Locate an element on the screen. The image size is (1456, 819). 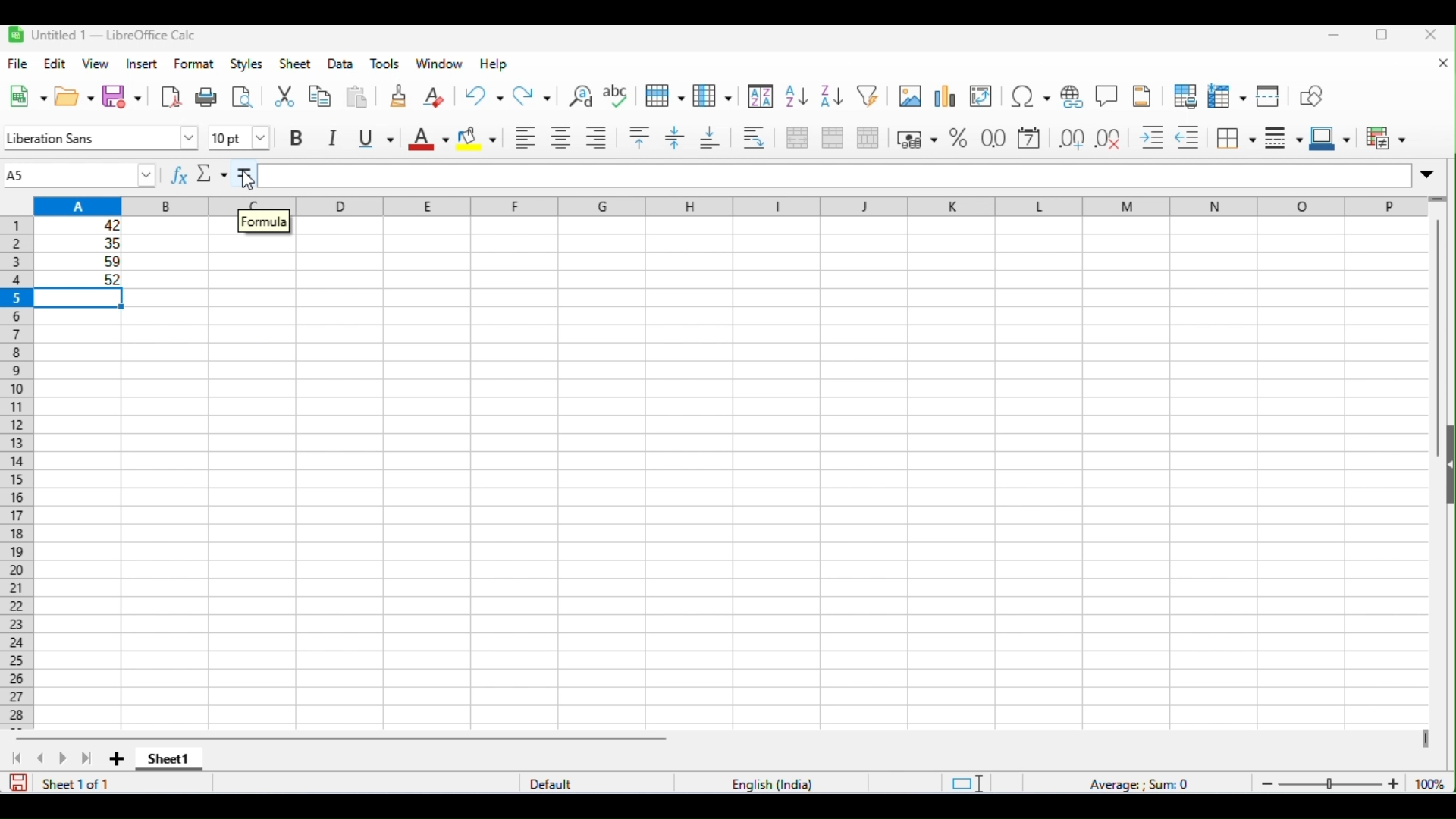
font style is located at coordinates (100, 136).